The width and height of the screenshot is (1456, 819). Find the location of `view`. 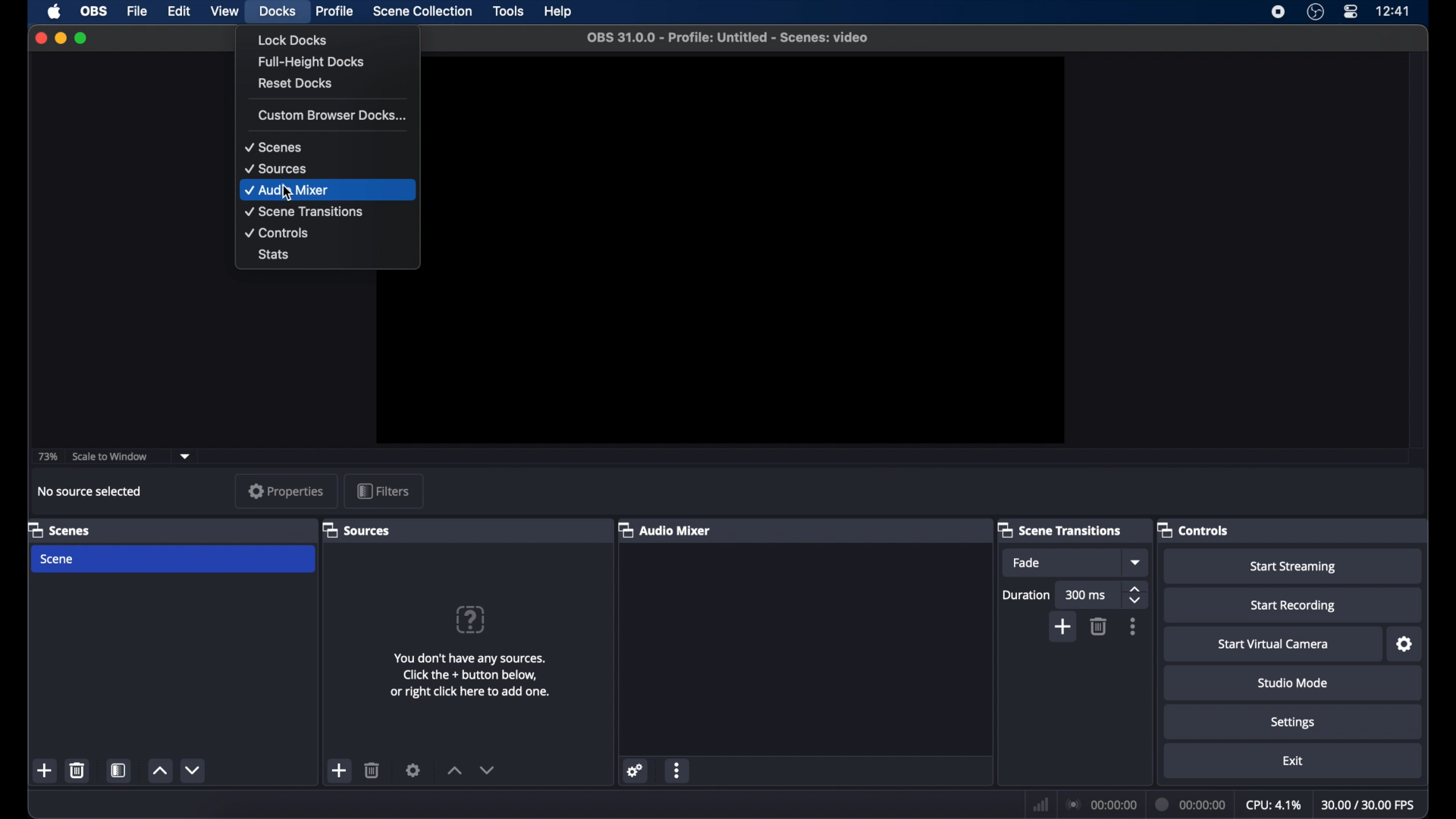

view is located at coordinates (224, 11).